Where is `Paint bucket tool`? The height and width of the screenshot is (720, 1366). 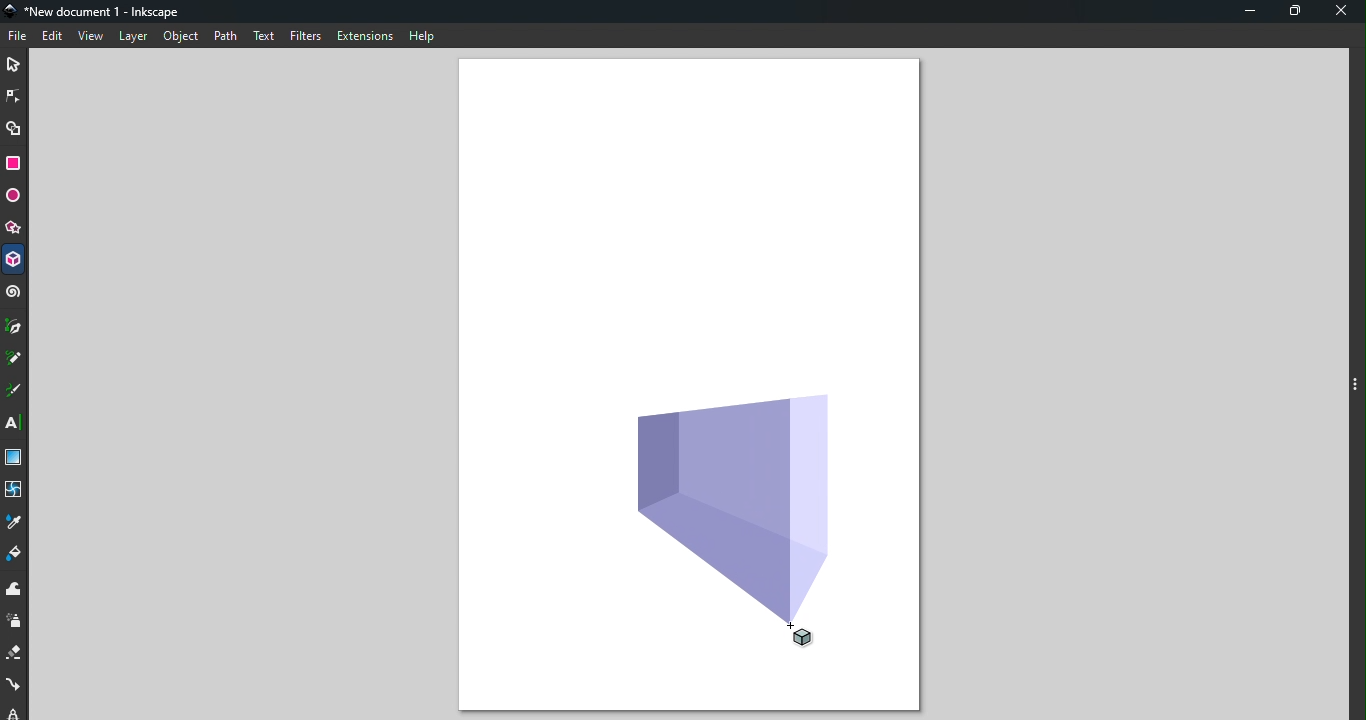 Paint bucket tool is located at coordinates (13, 555).